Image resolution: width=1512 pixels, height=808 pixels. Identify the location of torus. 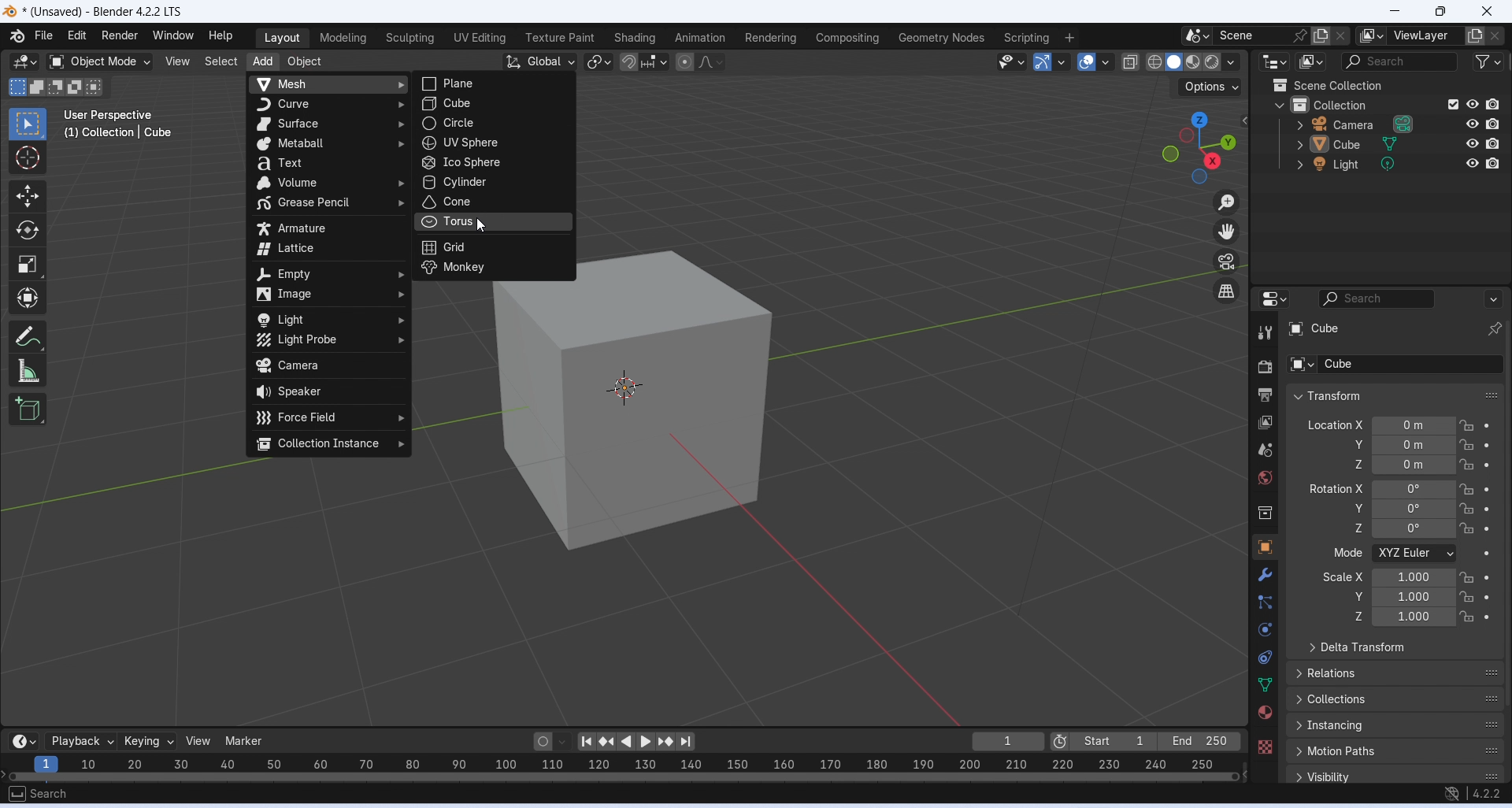
(491, 223).